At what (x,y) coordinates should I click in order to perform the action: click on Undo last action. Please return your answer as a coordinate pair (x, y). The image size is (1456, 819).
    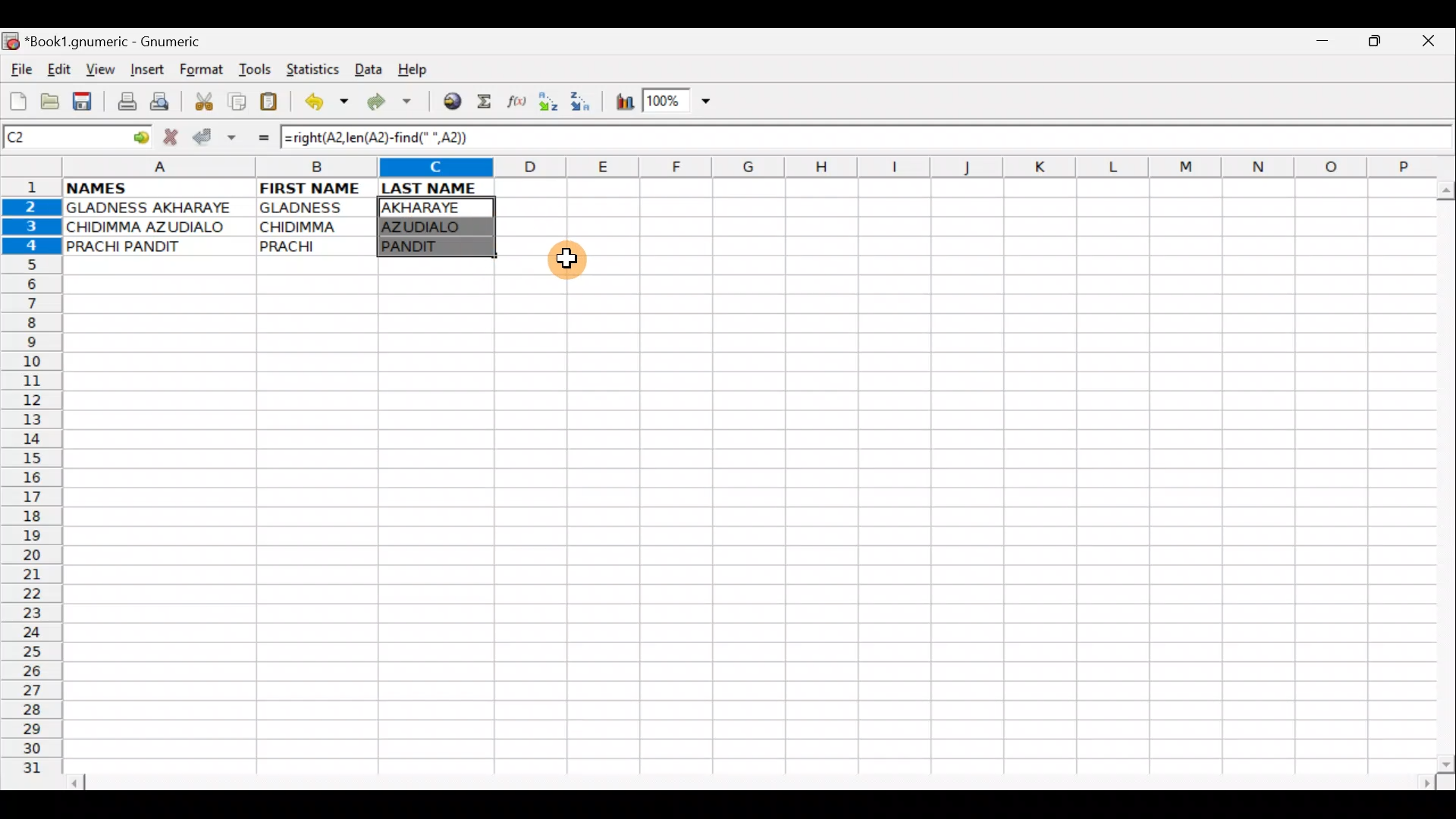
    Looking at the image, I should click on (328, 104).